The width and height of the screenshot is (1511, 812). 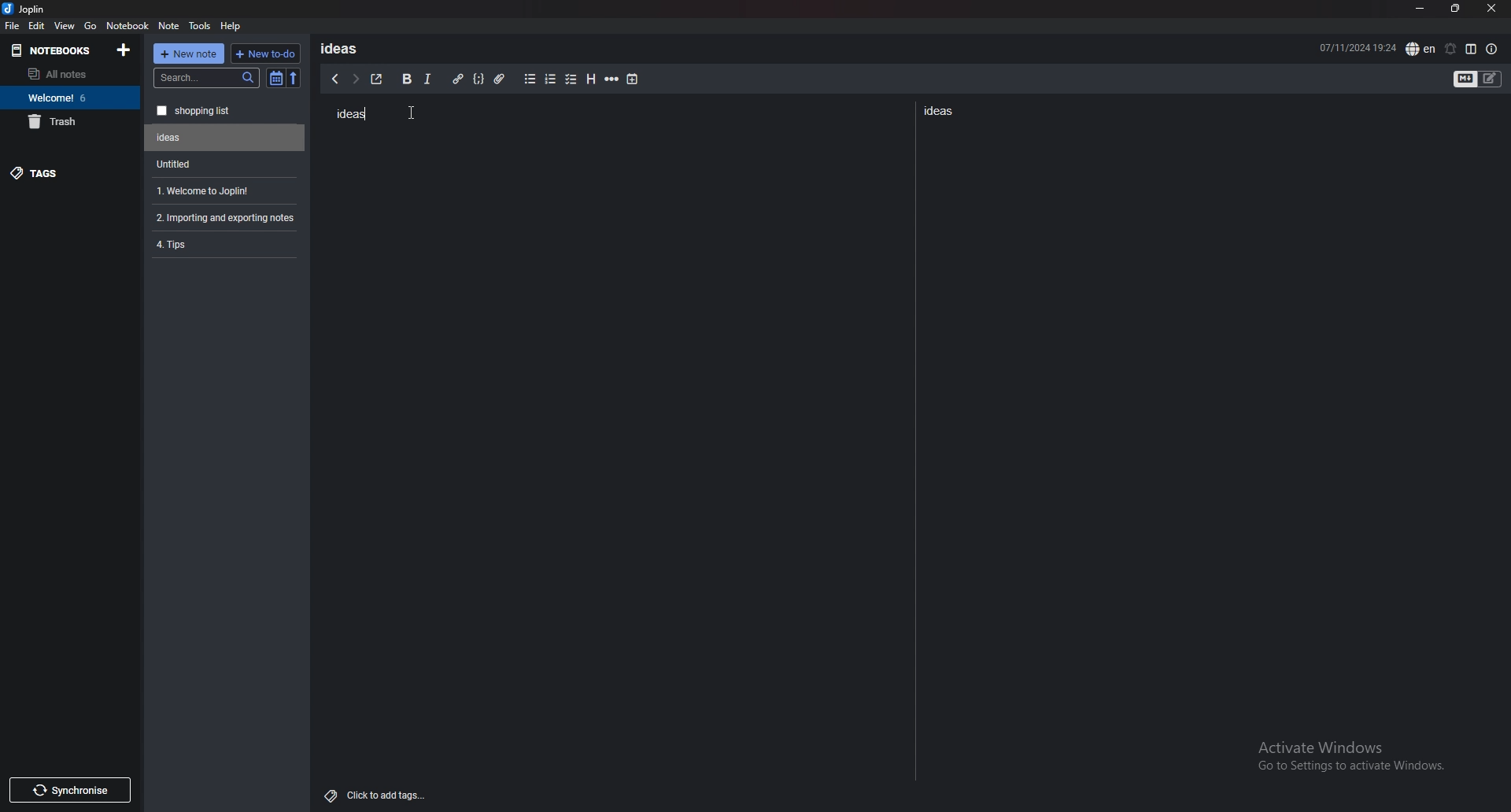 What do you see at coordinates (65, 25) in the screenshot?
I see `view` at bounding box center [65, 25].